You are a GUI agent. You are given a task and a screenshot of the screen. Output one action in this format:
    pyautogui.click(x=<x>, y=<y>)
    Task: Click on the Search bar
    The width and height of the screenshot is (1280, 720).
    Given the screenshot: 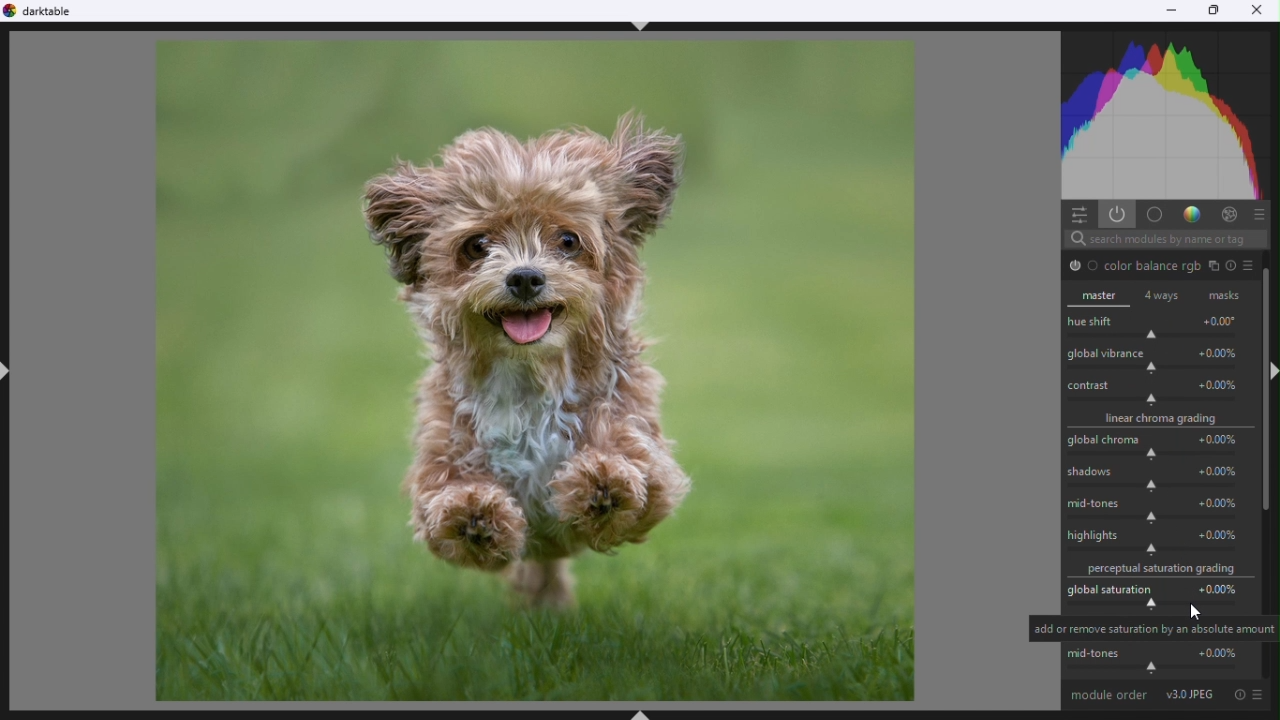 What is the action you would take?
    pyautogui.click(x=1165, y=239)
    